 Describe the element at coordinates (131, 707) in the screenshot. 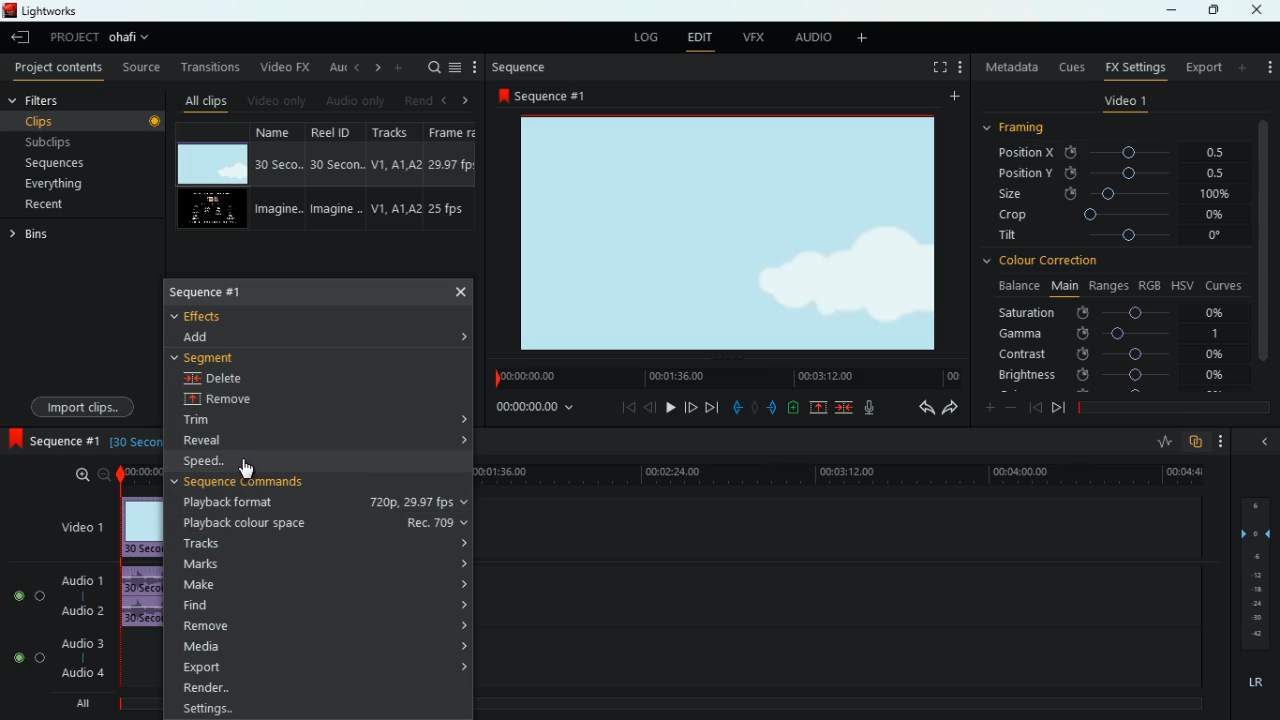

I see `timeline` at that location.